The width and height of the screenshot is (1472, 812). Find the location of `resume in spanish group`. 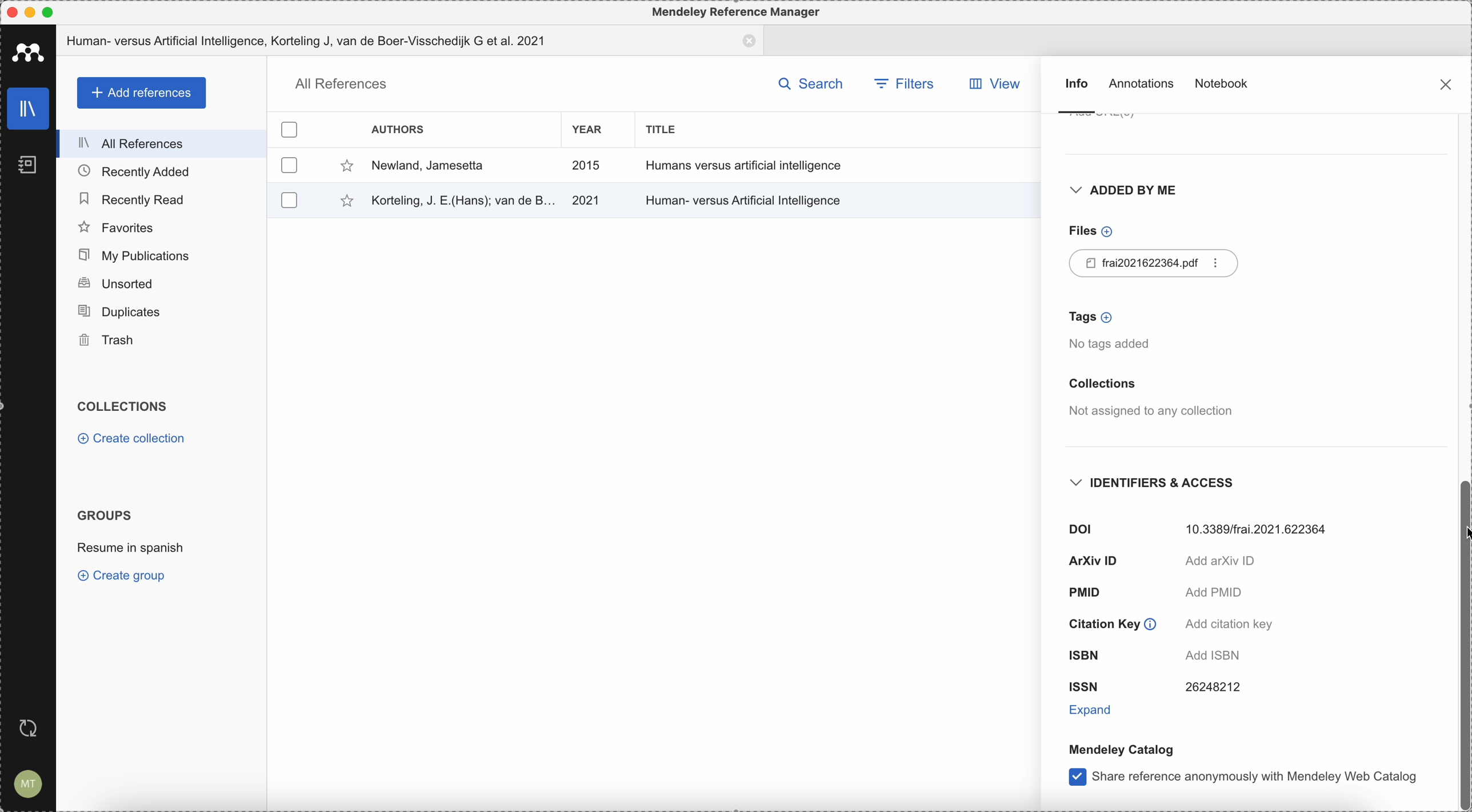

resume in spanish group is located at coordinates (131, 550).